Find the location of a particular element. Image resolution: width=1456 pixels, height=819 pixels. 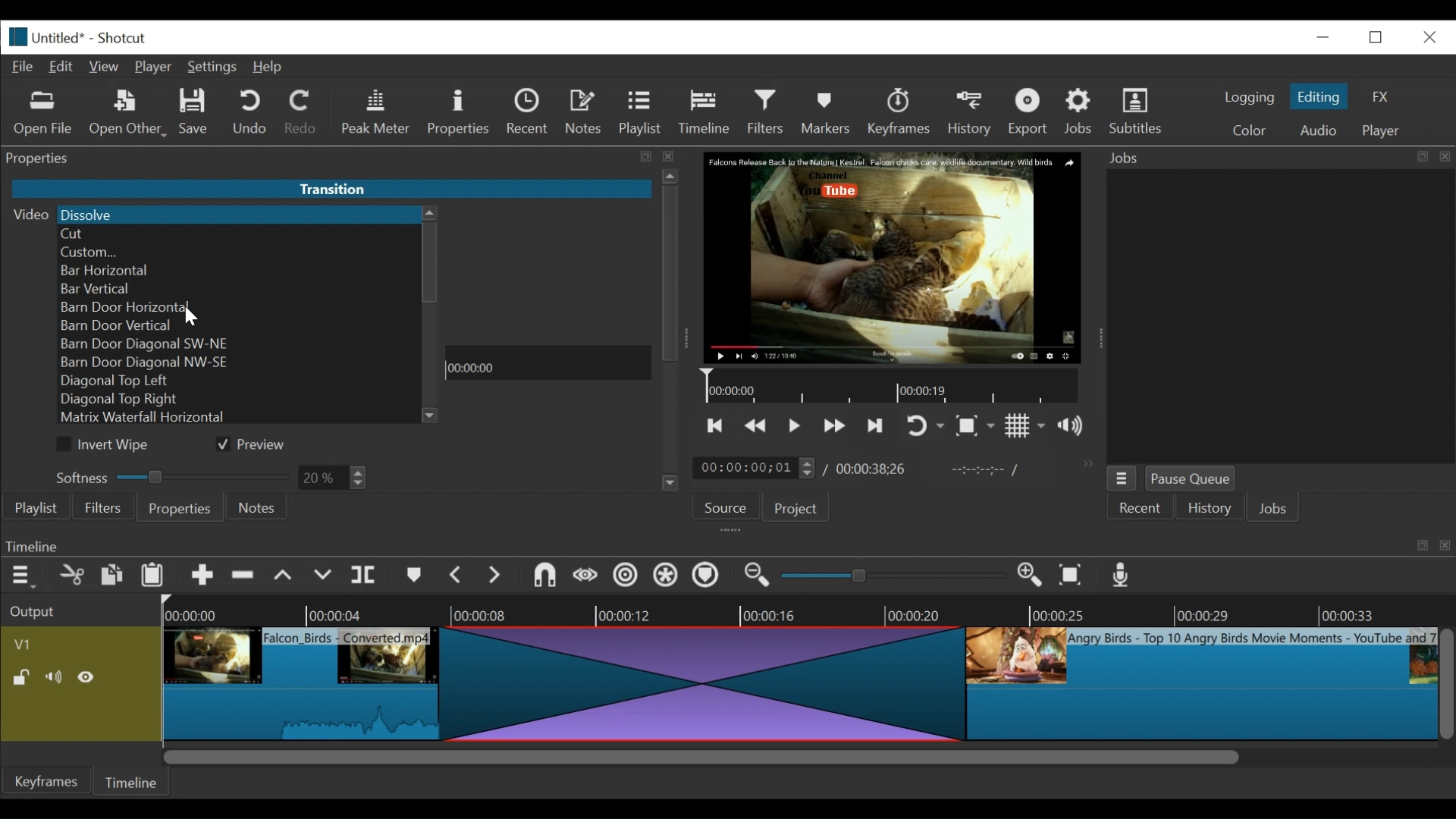

Scroll down is located at coordinates (431, 416).